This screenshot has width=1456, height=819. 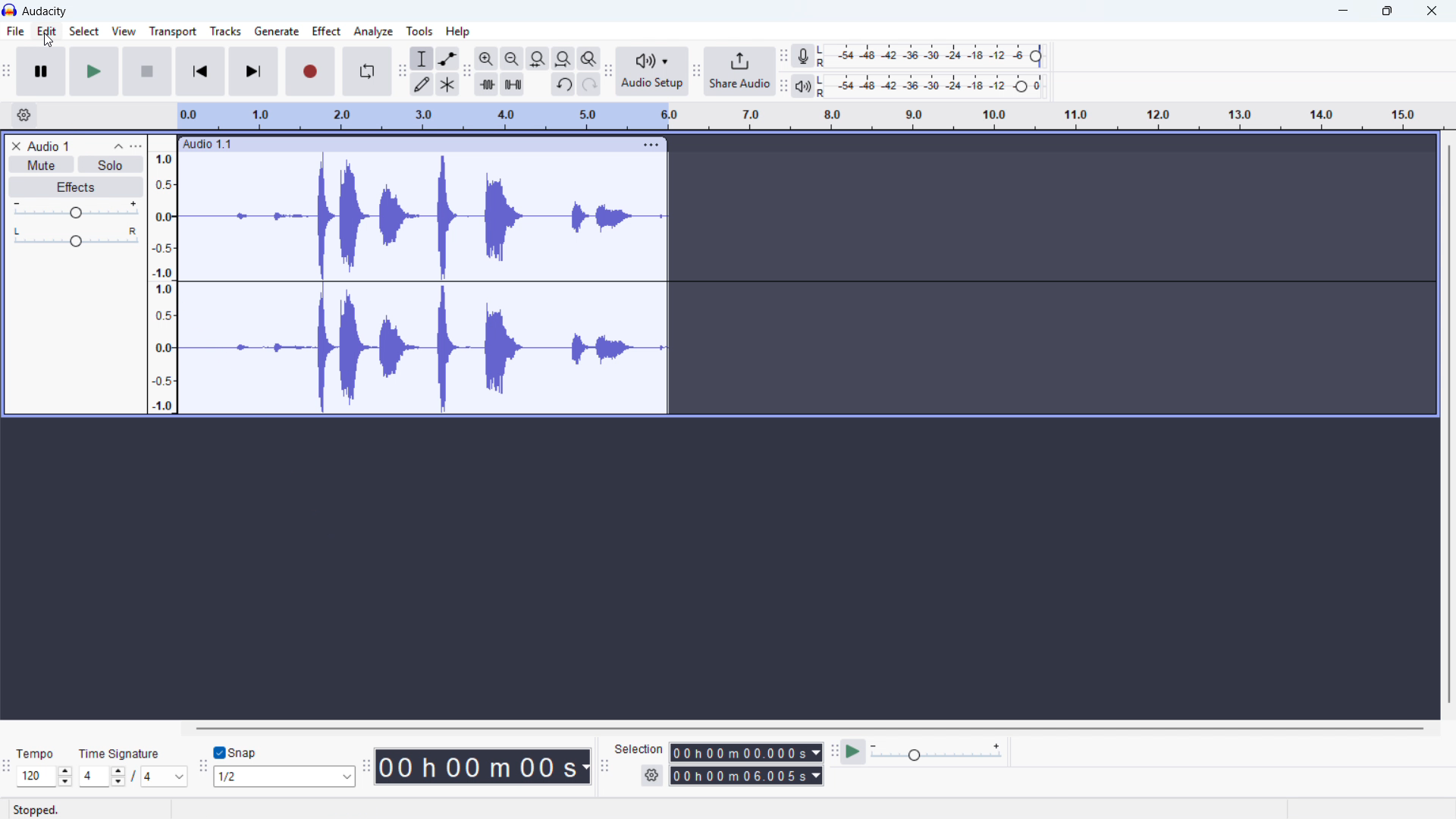 I want to click on generate, so click(x=277, y=31).